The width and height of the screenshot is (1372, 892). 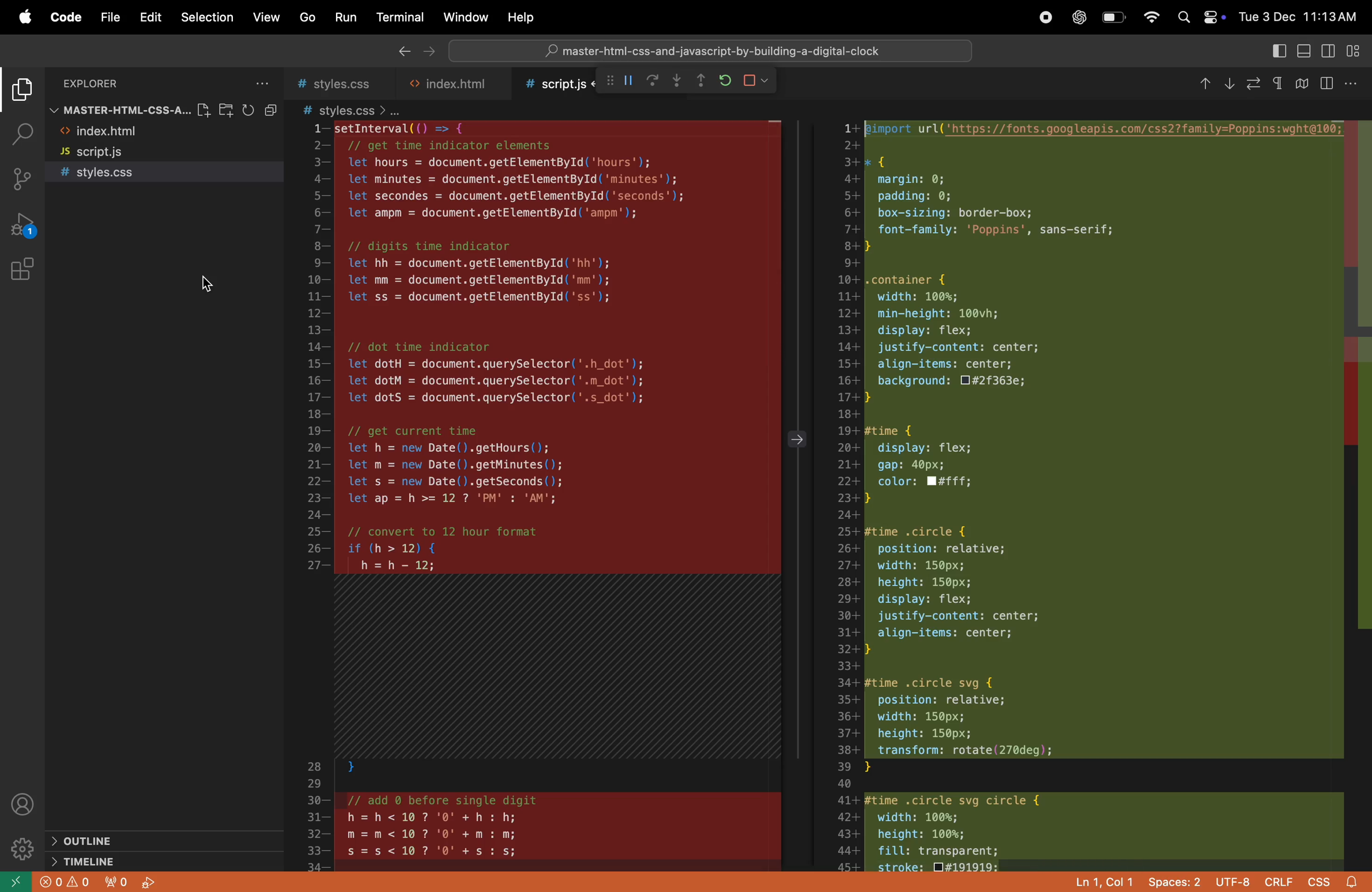 What do you see at coordinates (1077, 17) in the screenshot?
I see `chatgpt` at bounding box center [1077, 17].